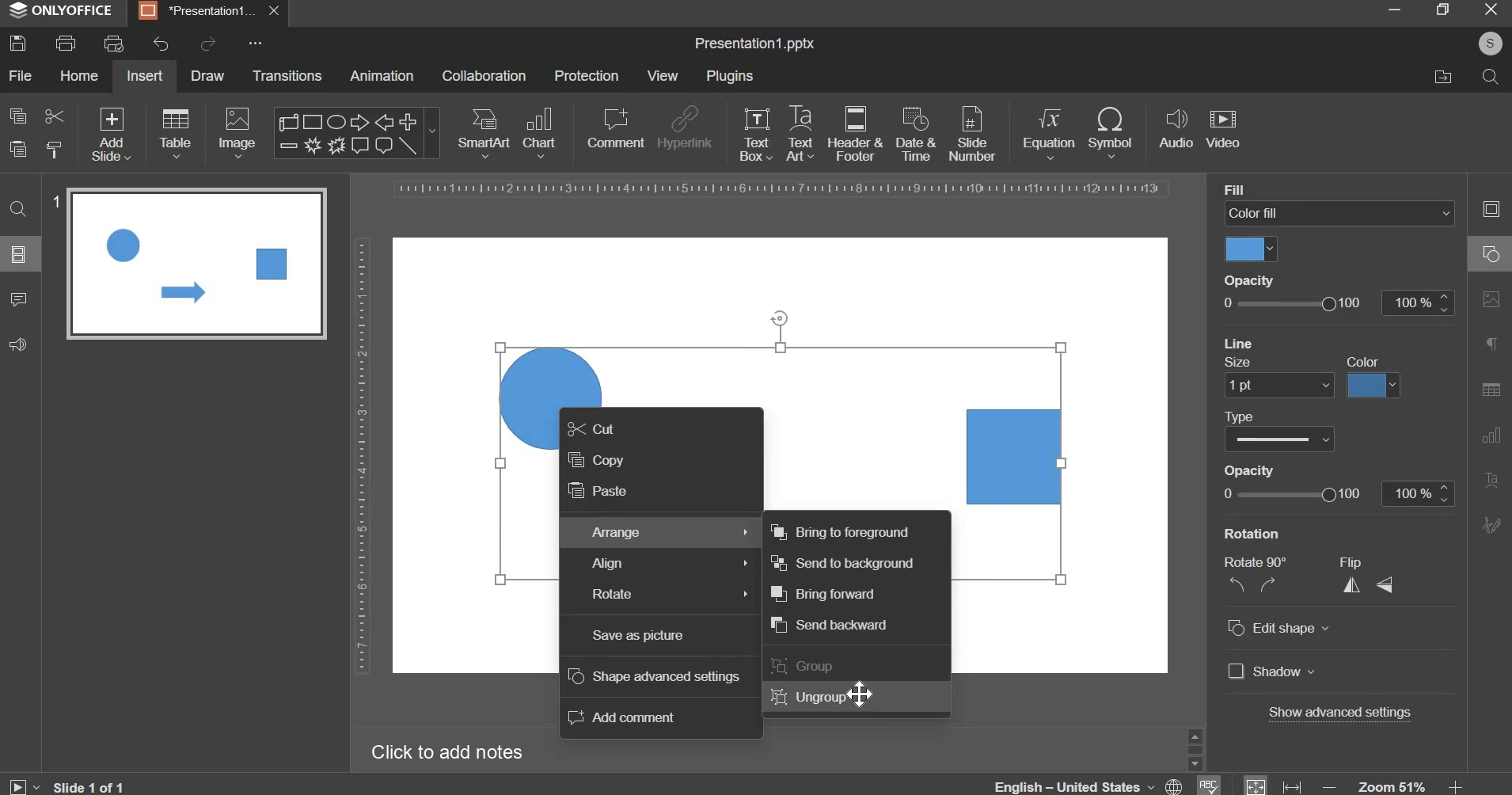 Image resolution: width=1512 pixels, height=795 pixels. I want to click on vertical scale, so click(361, 455).